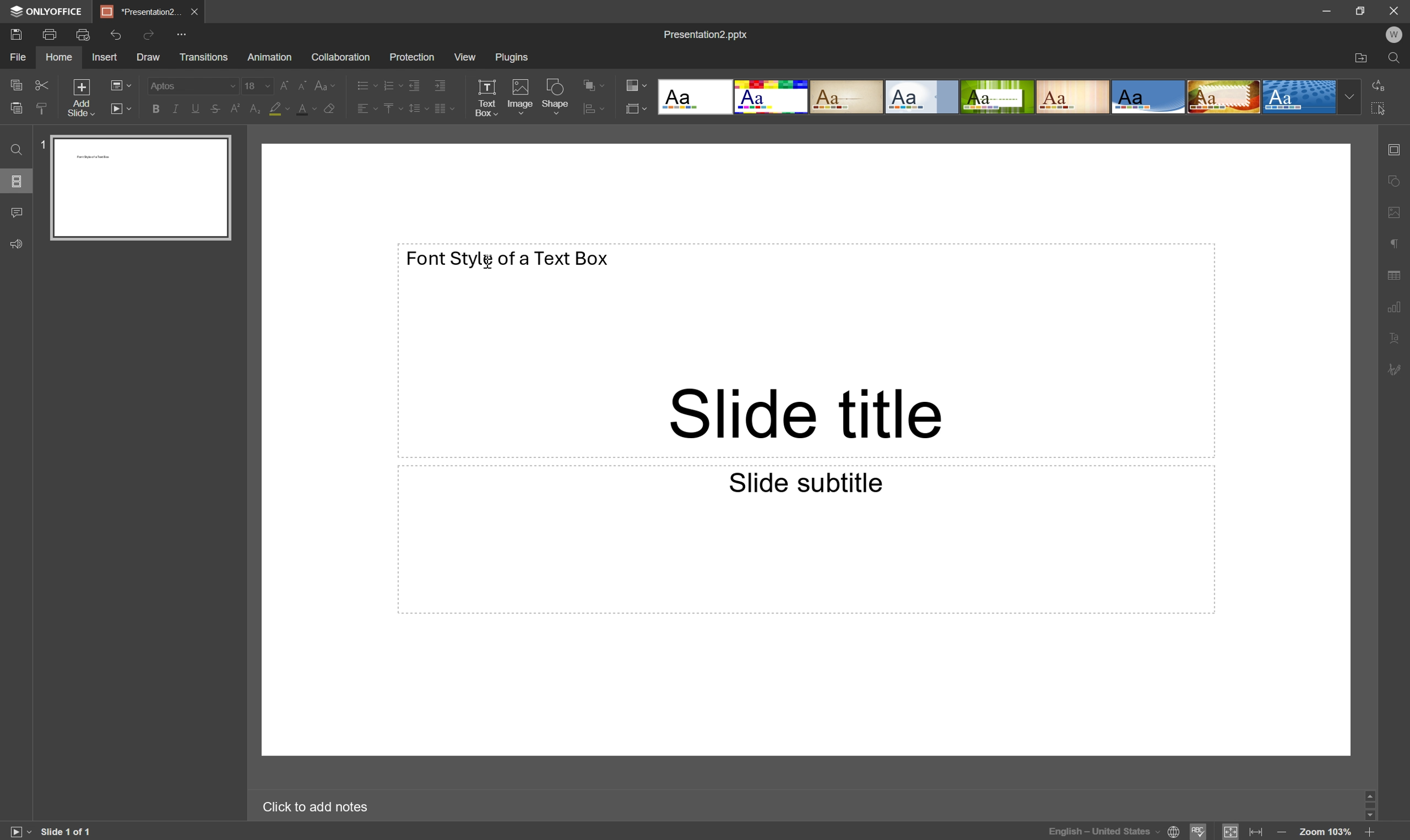 The height and width of the screenshot is (840, 1410). I want to click on Spell Checking, so click(1199, 831).